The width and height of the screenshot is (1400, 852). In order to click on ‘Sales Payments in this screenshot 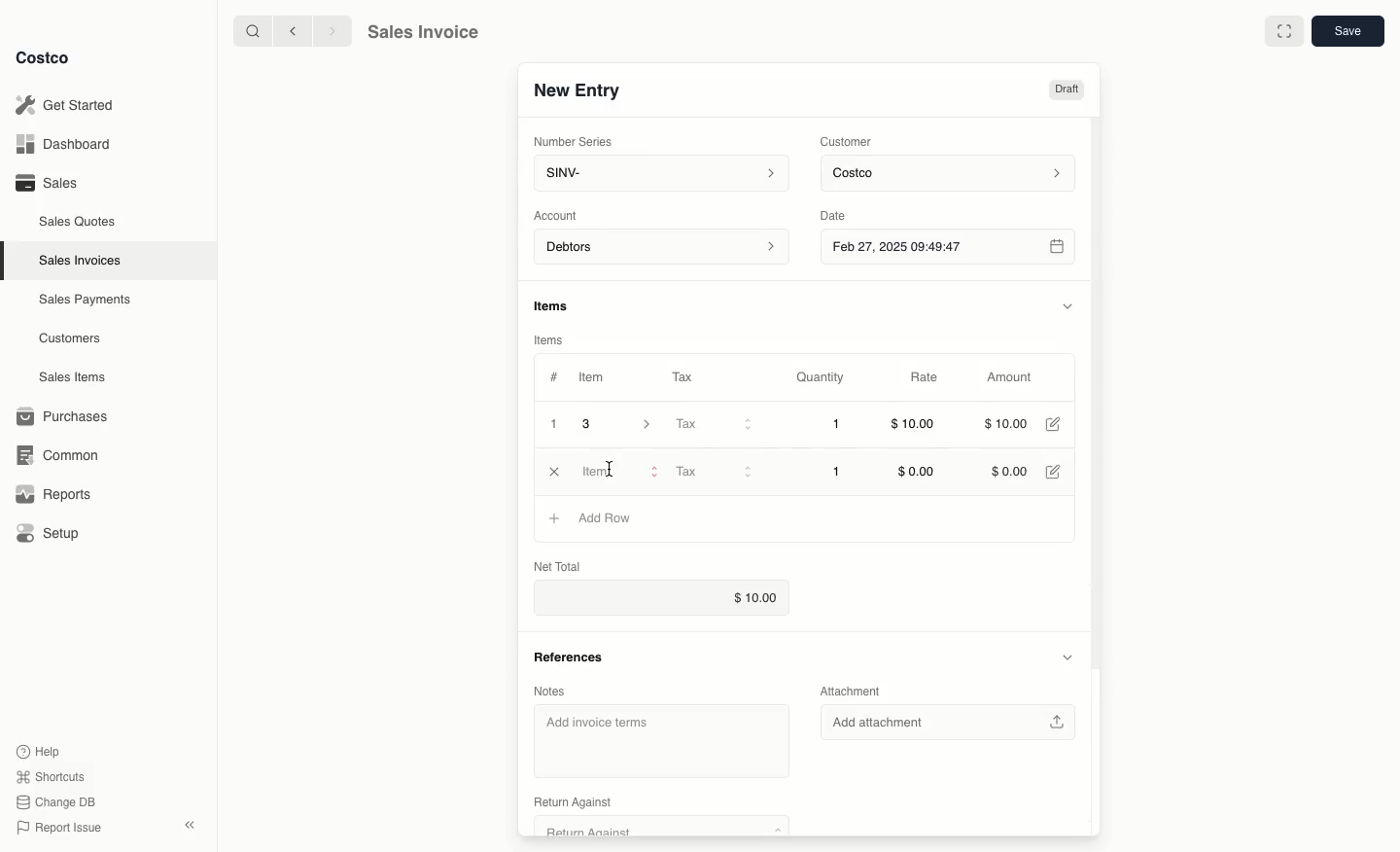, I will do `click(85, 298)`.